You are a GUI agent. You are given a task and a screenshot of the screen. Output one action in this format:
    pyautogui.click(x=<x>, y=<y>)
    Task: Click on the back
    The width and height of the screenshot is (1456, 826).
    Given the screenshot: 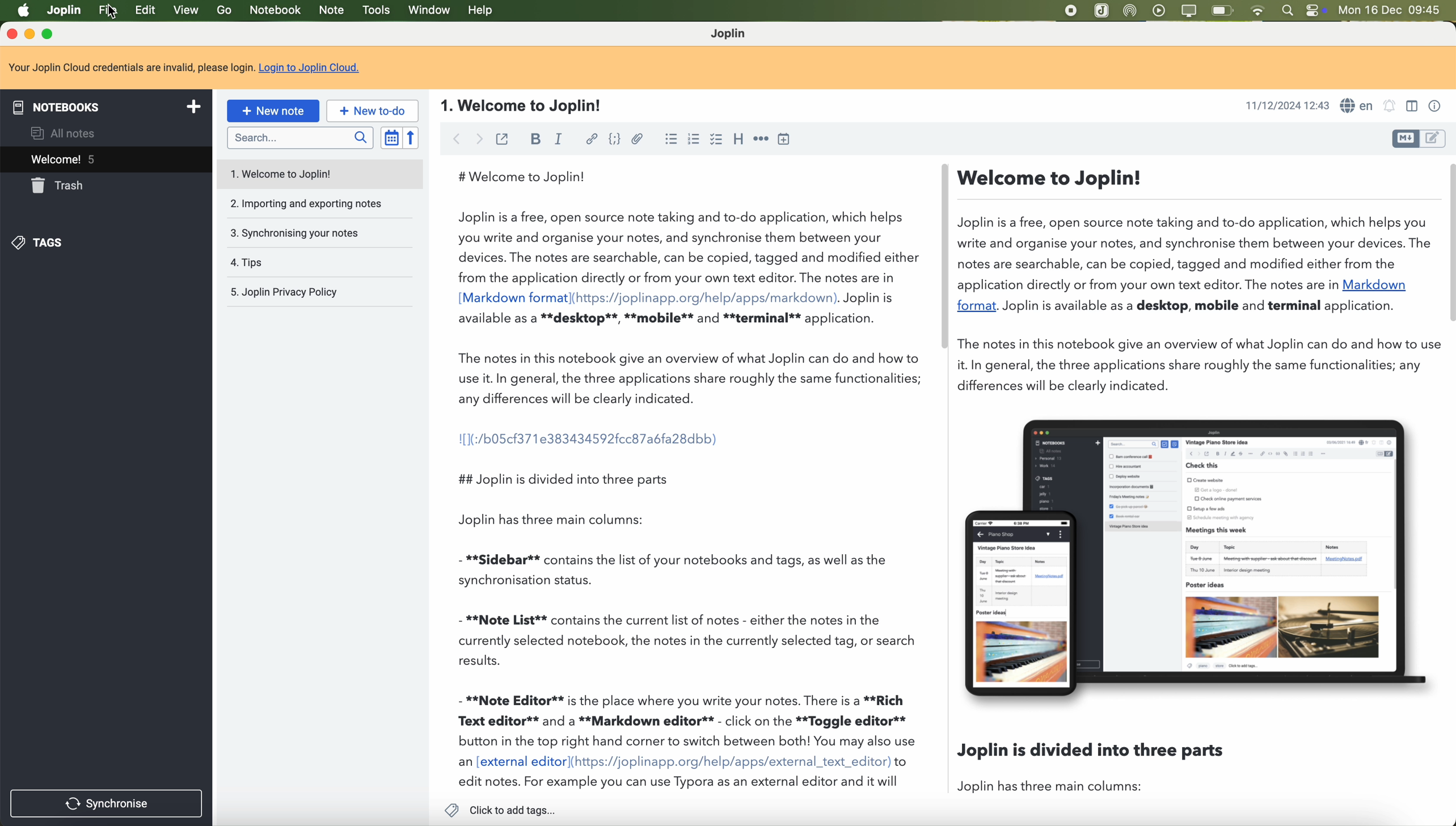 What is the action you would take?
    pyautogui.click(x=454, y=140)
    